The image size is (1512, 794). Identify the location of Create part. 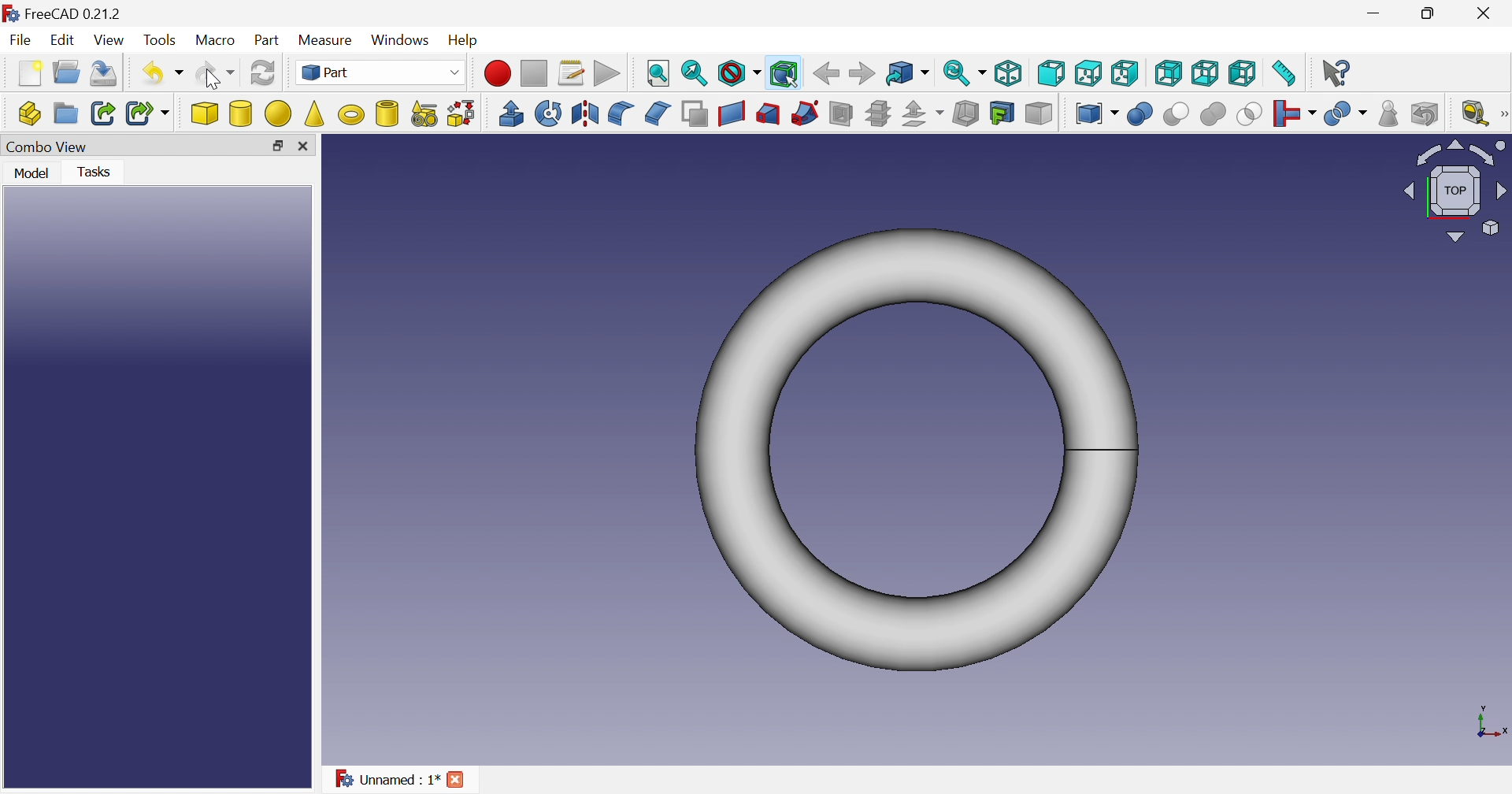
(29, 114).